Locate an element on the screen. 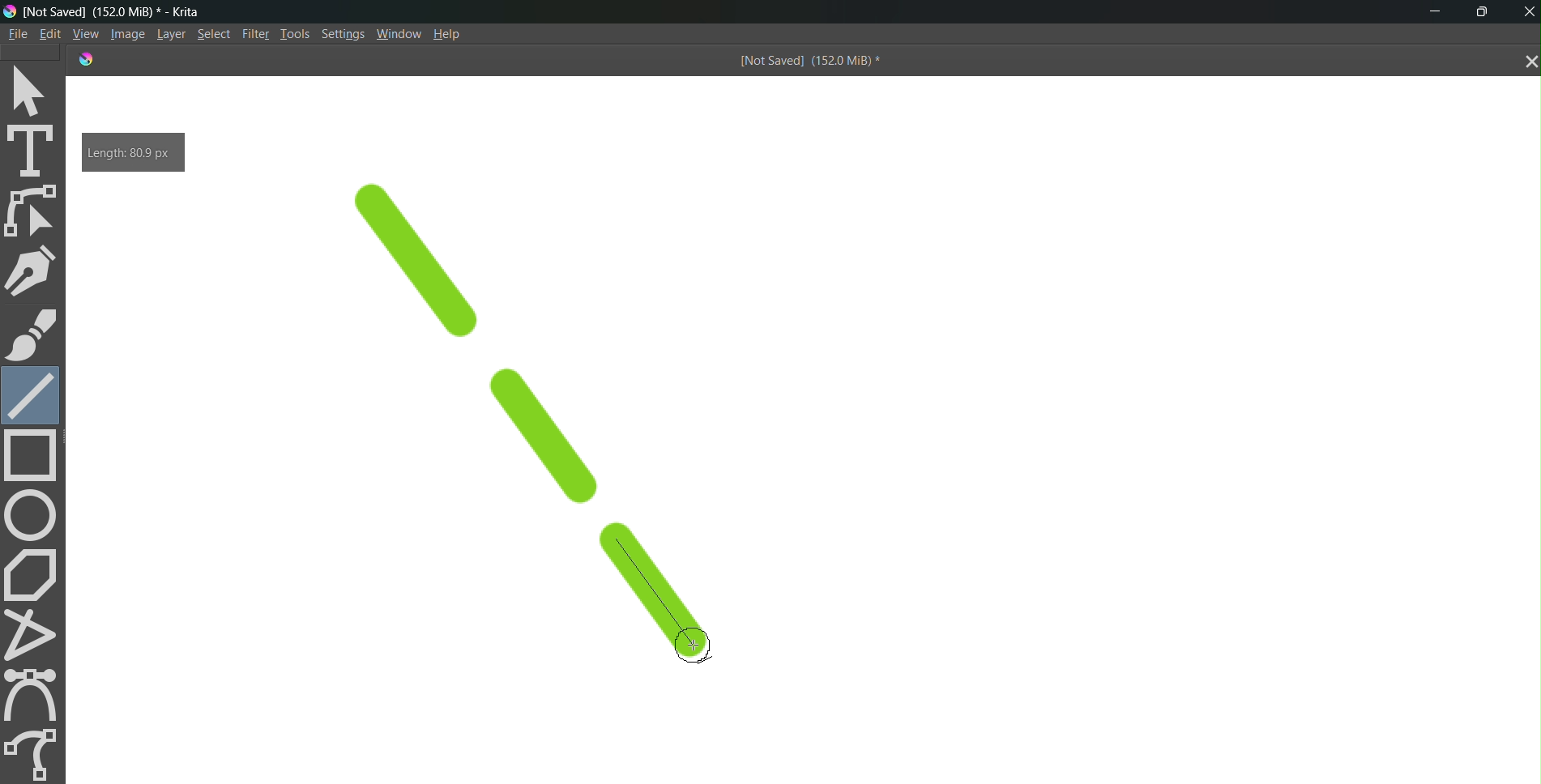  Tools is located at coordinates (293, 32).